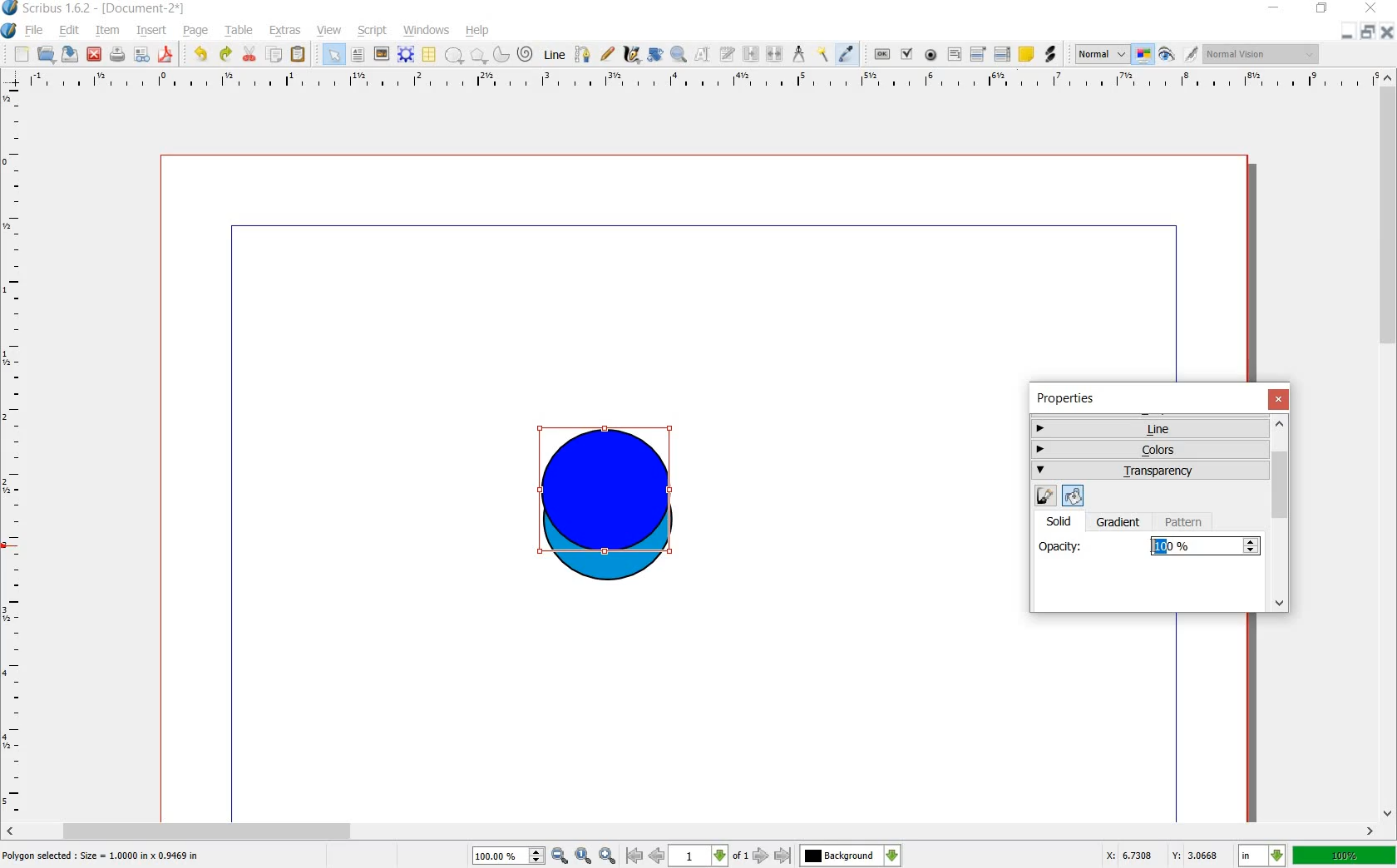 The width and height of the screenshot is (1397, 868). I want to click on scroll bar, so click(690, 830).